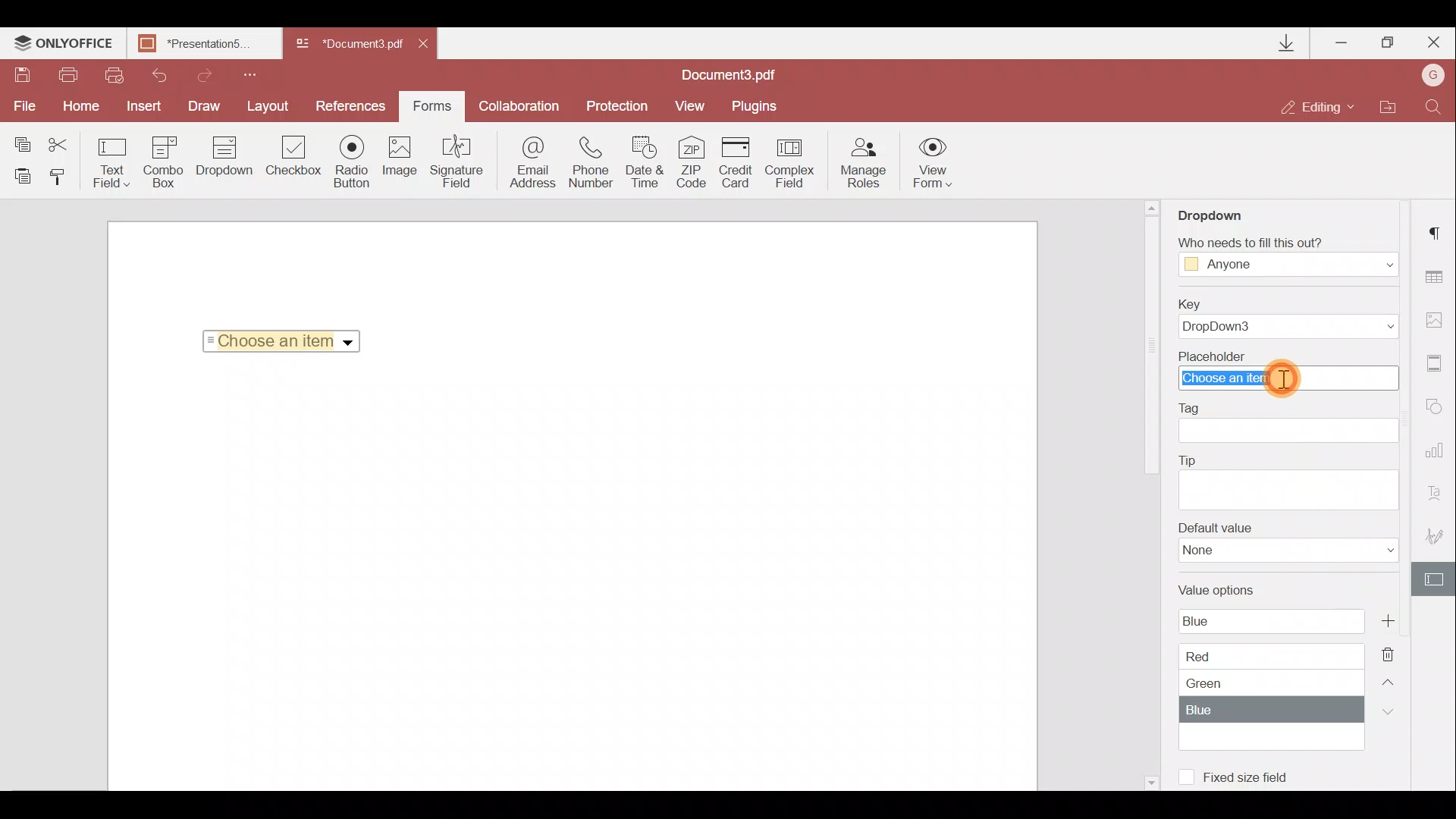 This screenshot has width=1456, height=819. What do you see at coordinates (1153, 207) in the screenshot?
I see `Scroll up` at bounding box center [1153, 207].